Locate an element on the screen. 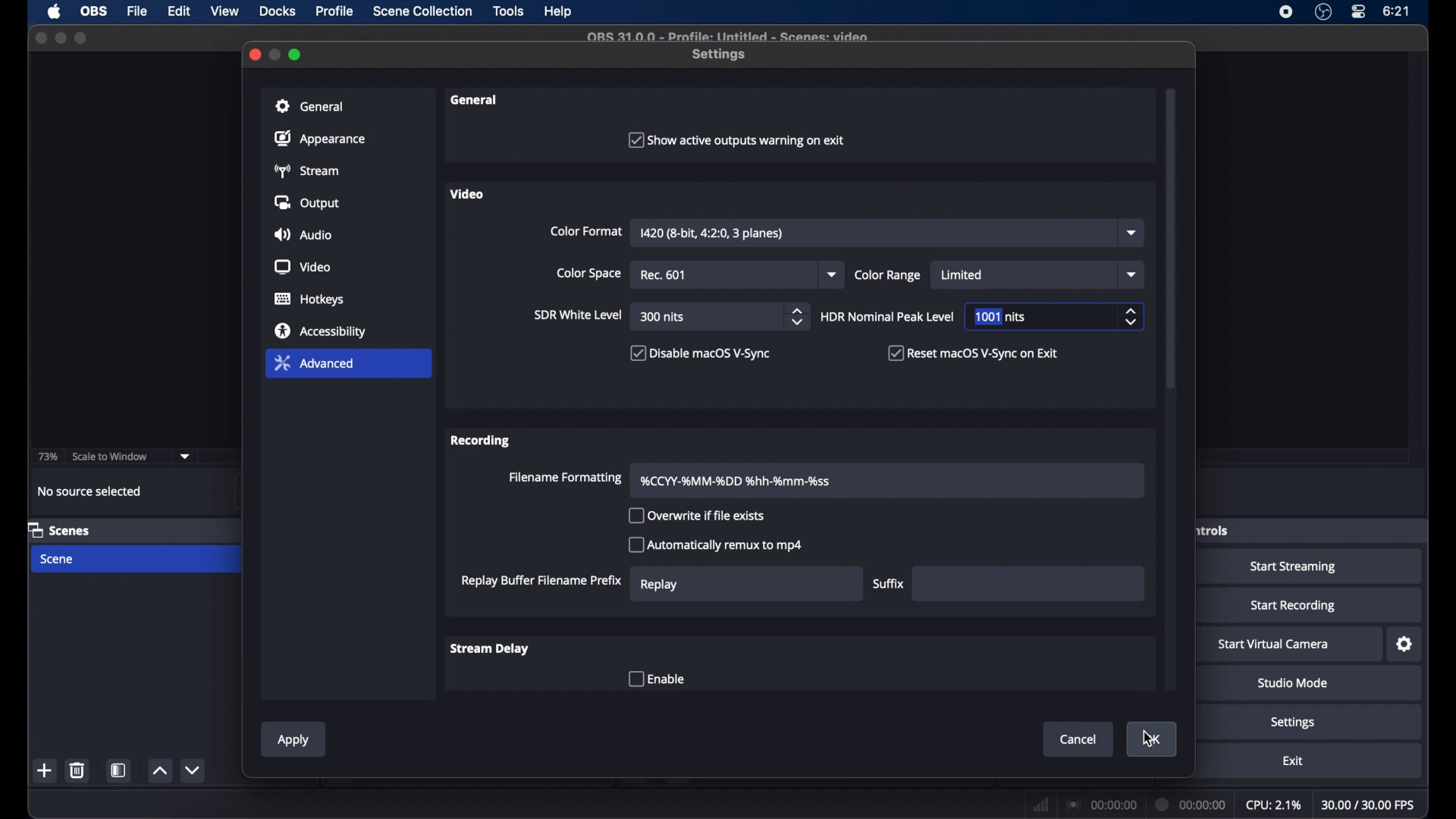  73% is located at coordinates (47, 457).